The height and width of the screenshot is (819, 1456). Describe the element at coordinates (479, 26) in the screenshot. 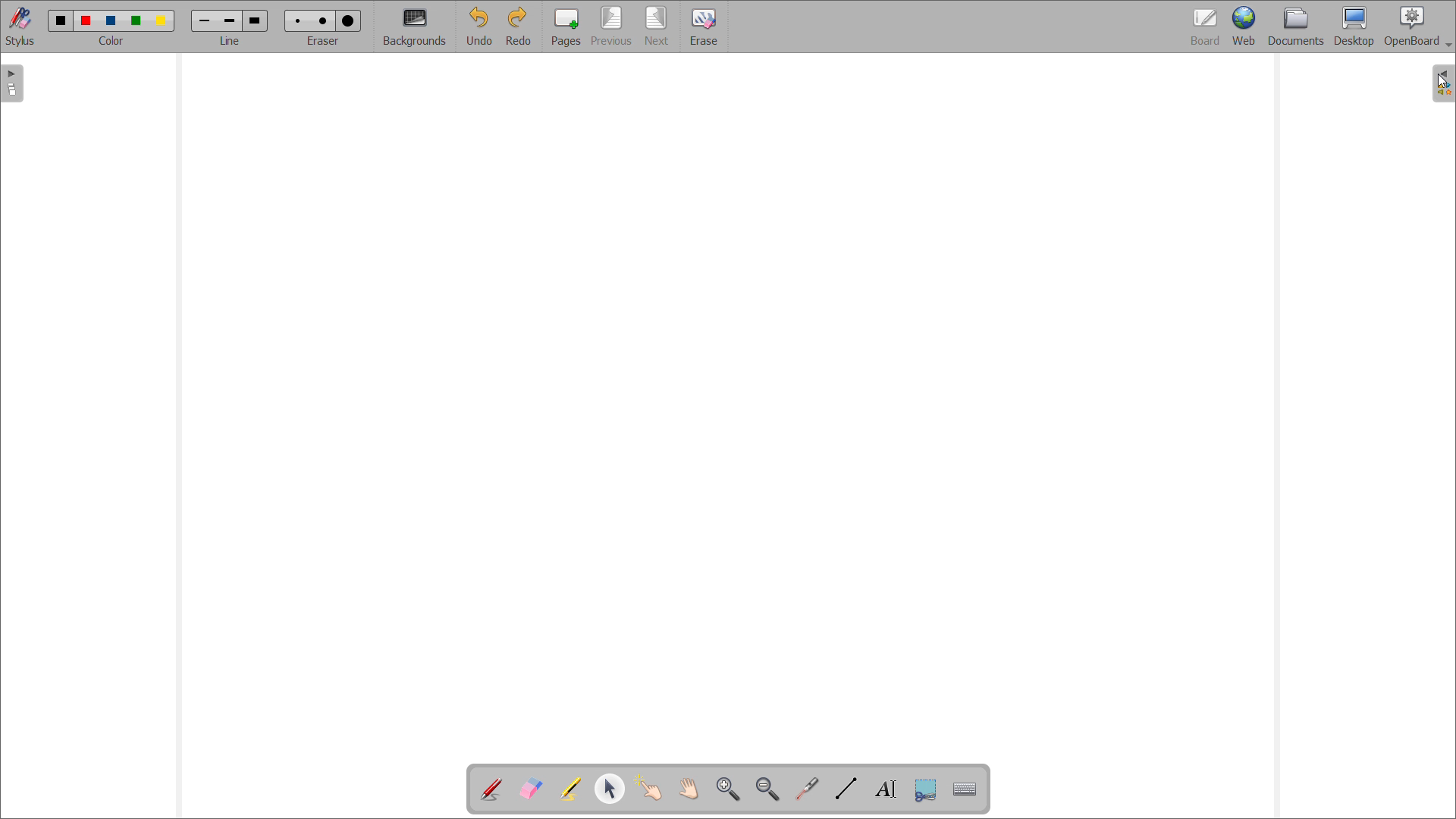

I see `undo` at that location.